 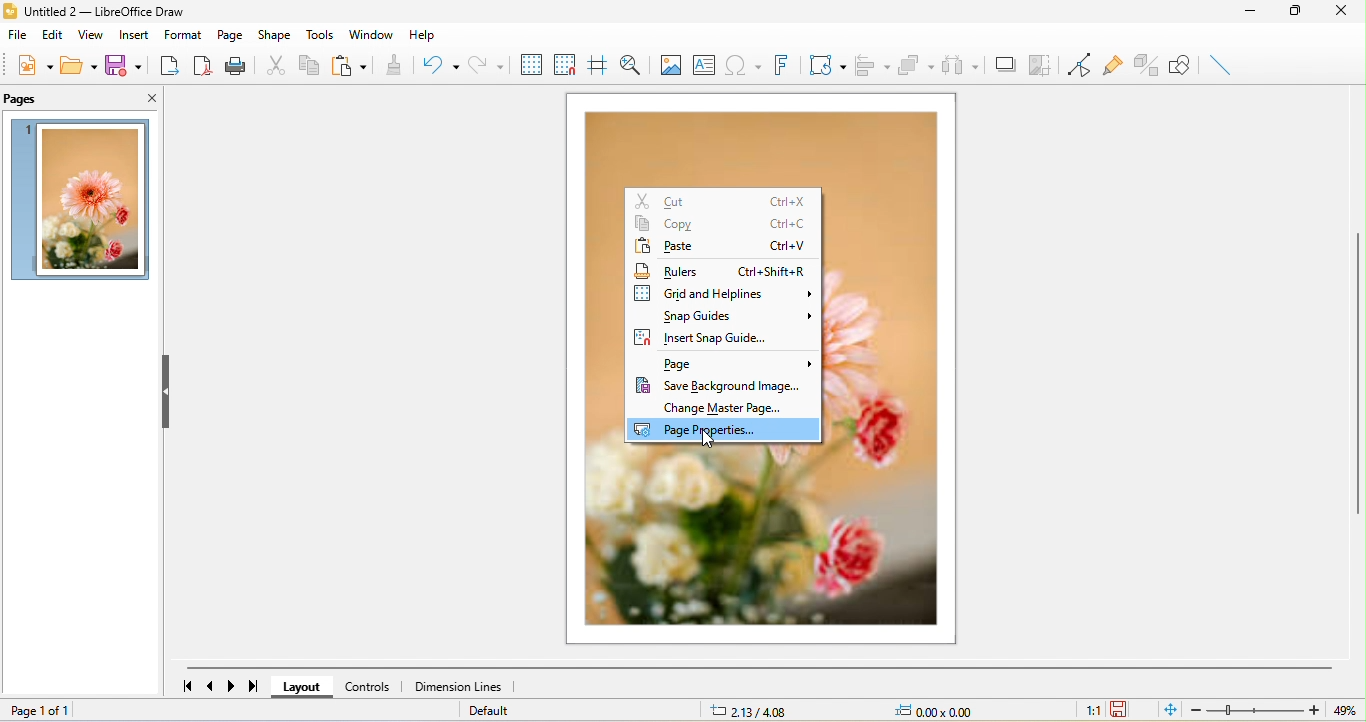 I want to click on help, so click(x=427, y=32).